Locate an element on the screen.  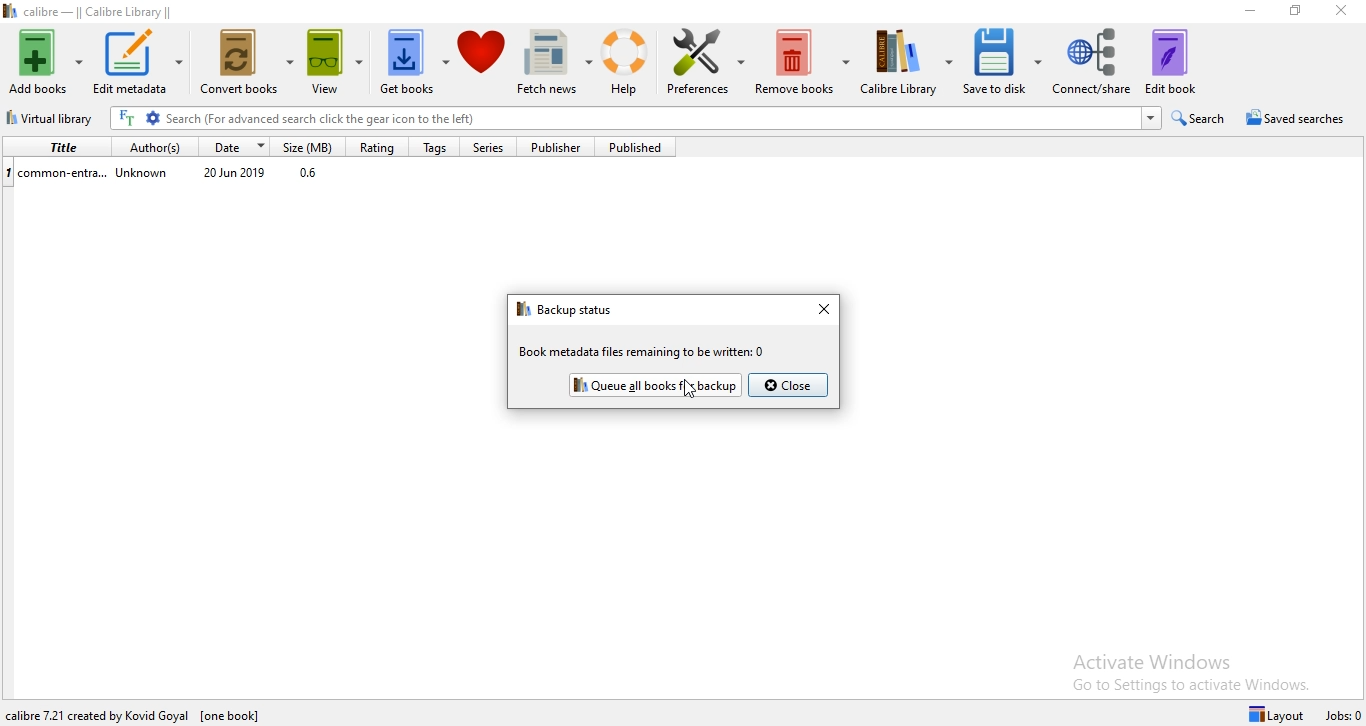
Publisher is located at coordinates (563, 147).